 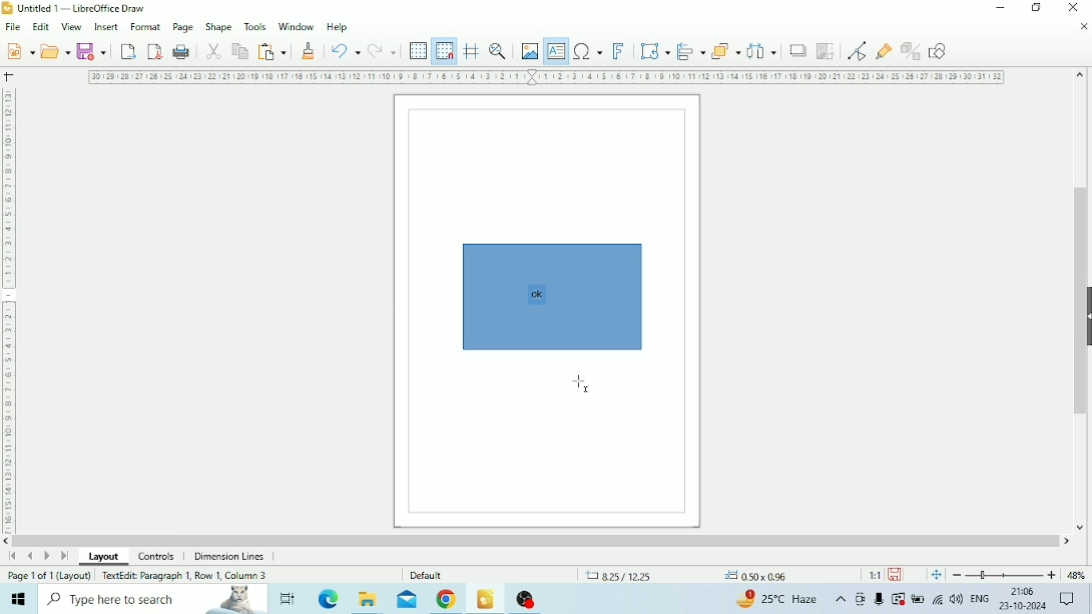 What do you see at coordinates (447, 599) in the screenshot?
I see `Google Chrome` at bounding box center [447, 599].